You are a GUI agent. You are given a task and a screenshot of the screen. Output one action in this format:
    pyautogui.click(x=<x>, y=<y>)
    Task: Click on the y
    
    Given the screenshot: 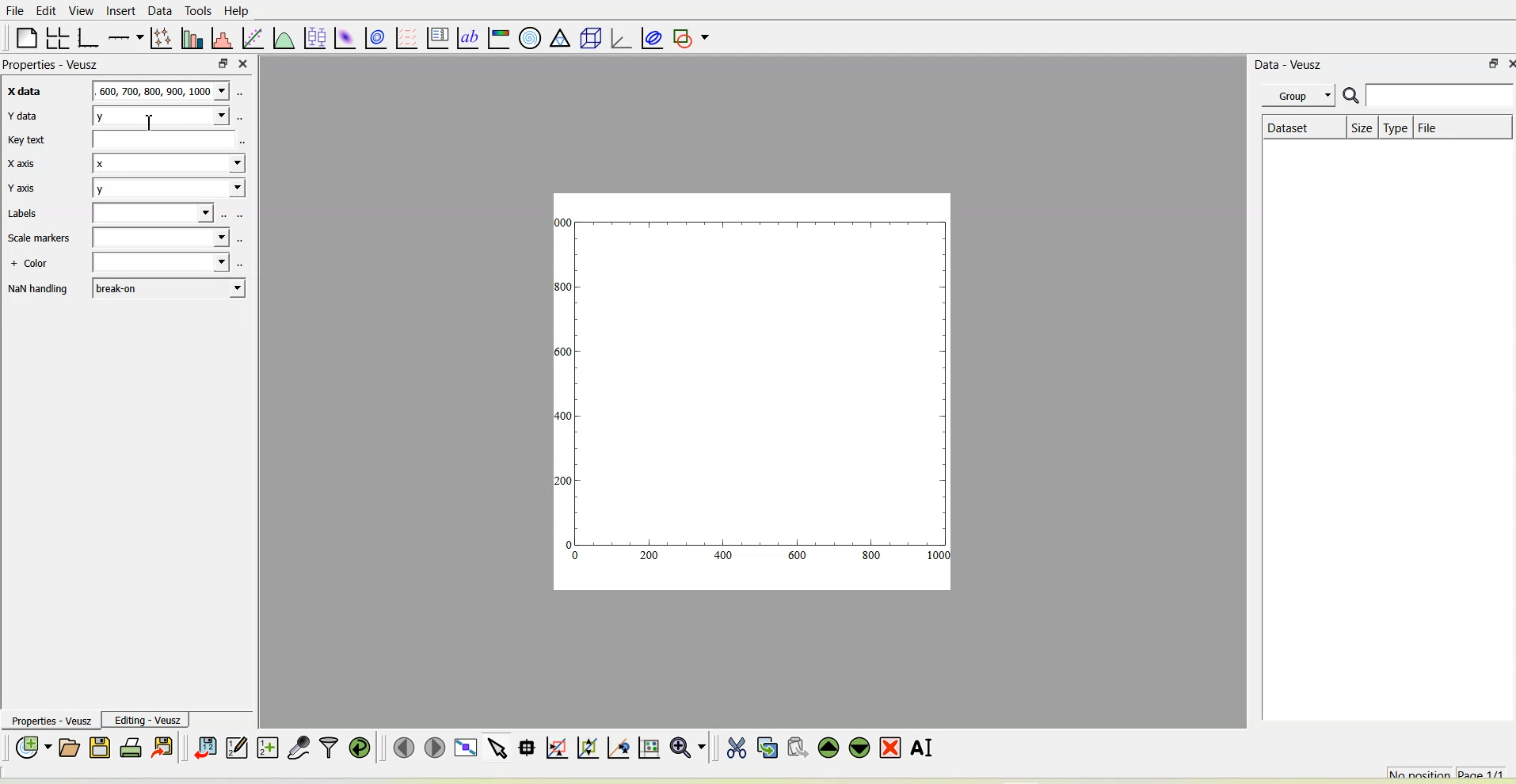 What is the action you would take?
    pyautogui.click(x=161, y=116)
    